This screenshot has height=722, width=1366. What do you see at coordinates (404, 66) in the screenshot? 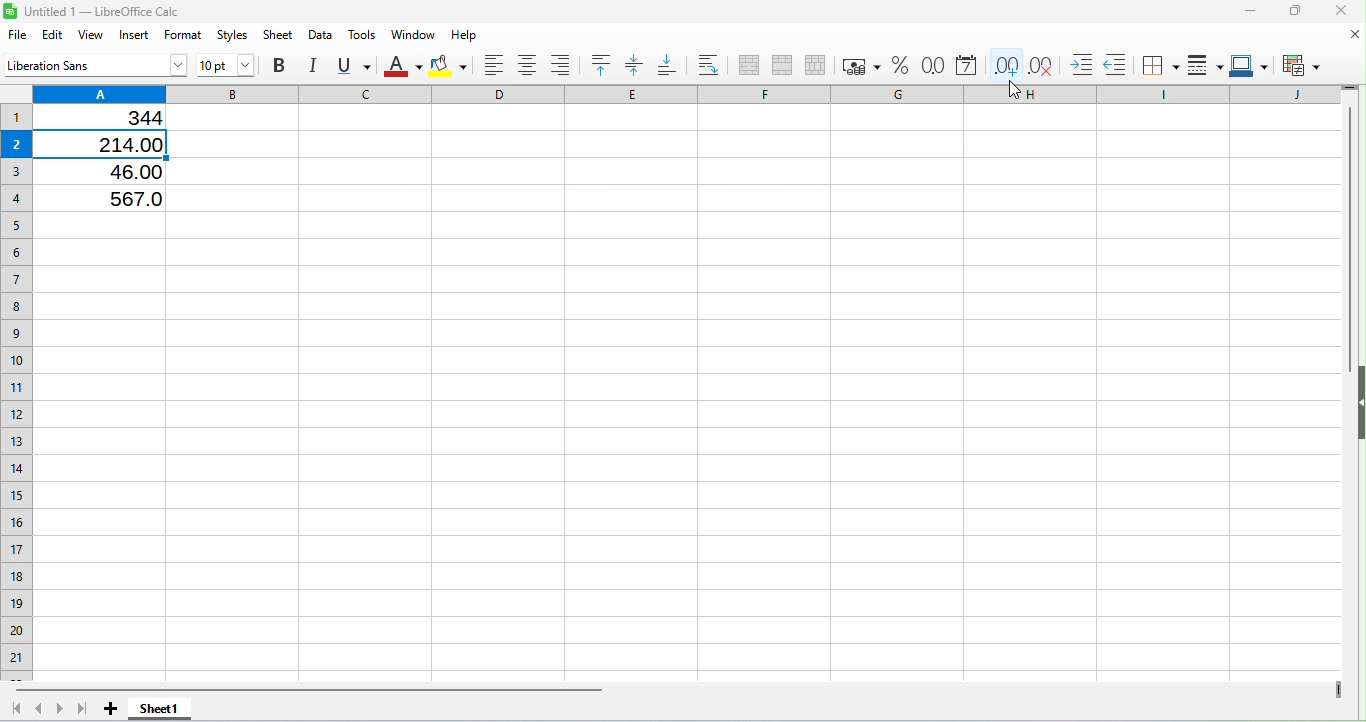
I see `Font color` at bounding box center [404, 66].